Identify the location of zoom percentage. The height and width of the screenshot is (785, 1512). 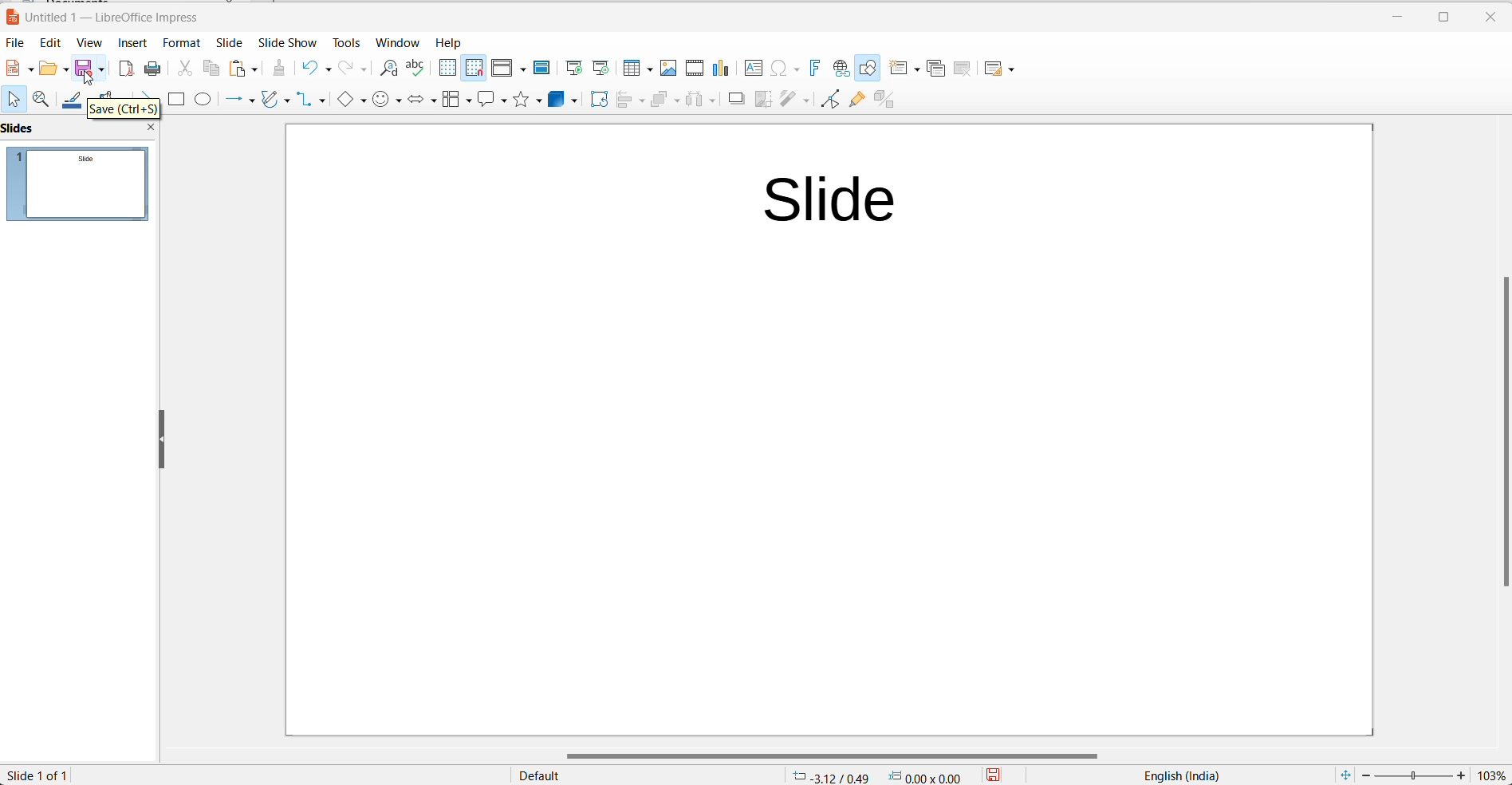
(1492, 775).